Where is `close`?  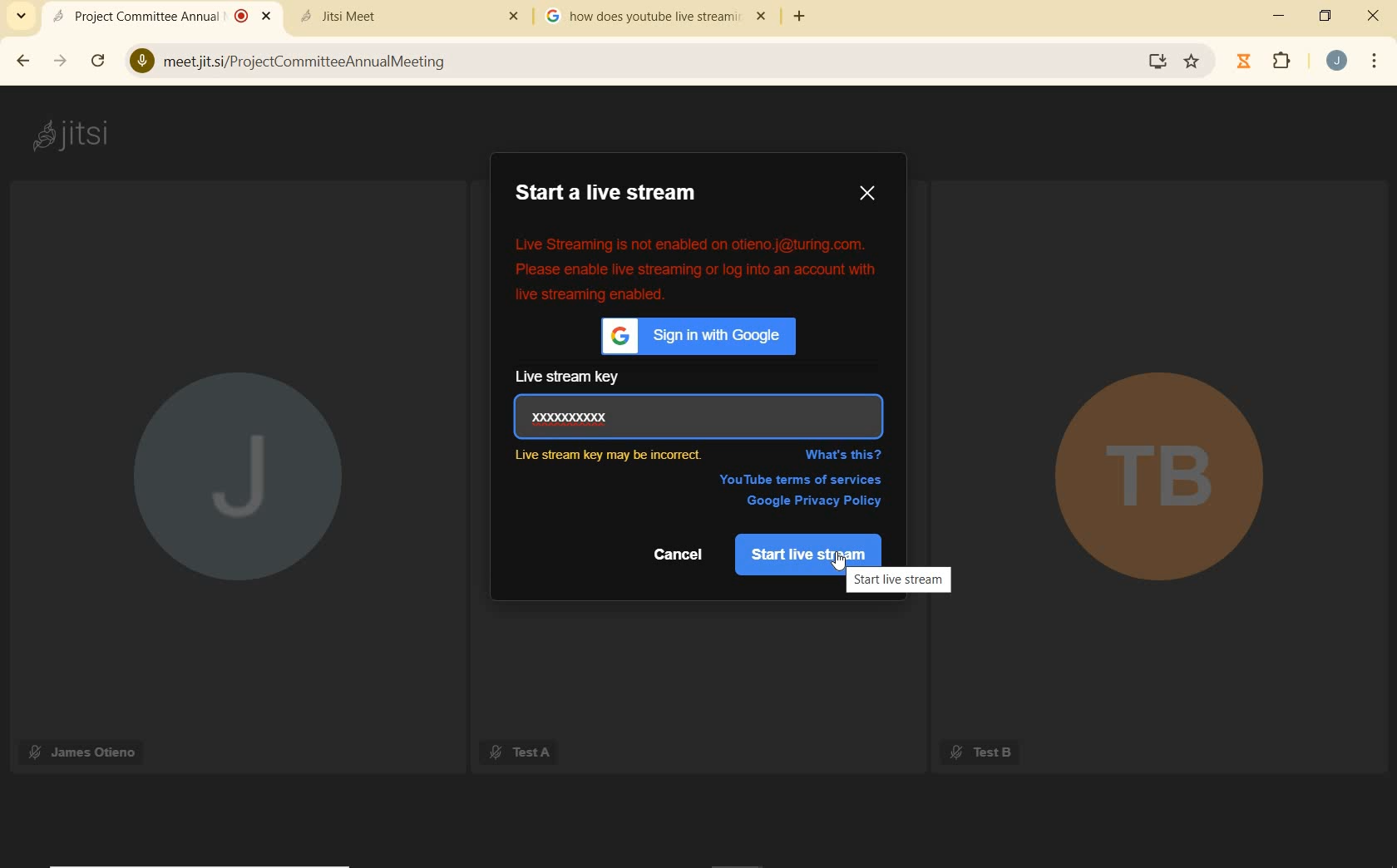
close is located at coordinates (765, 17).